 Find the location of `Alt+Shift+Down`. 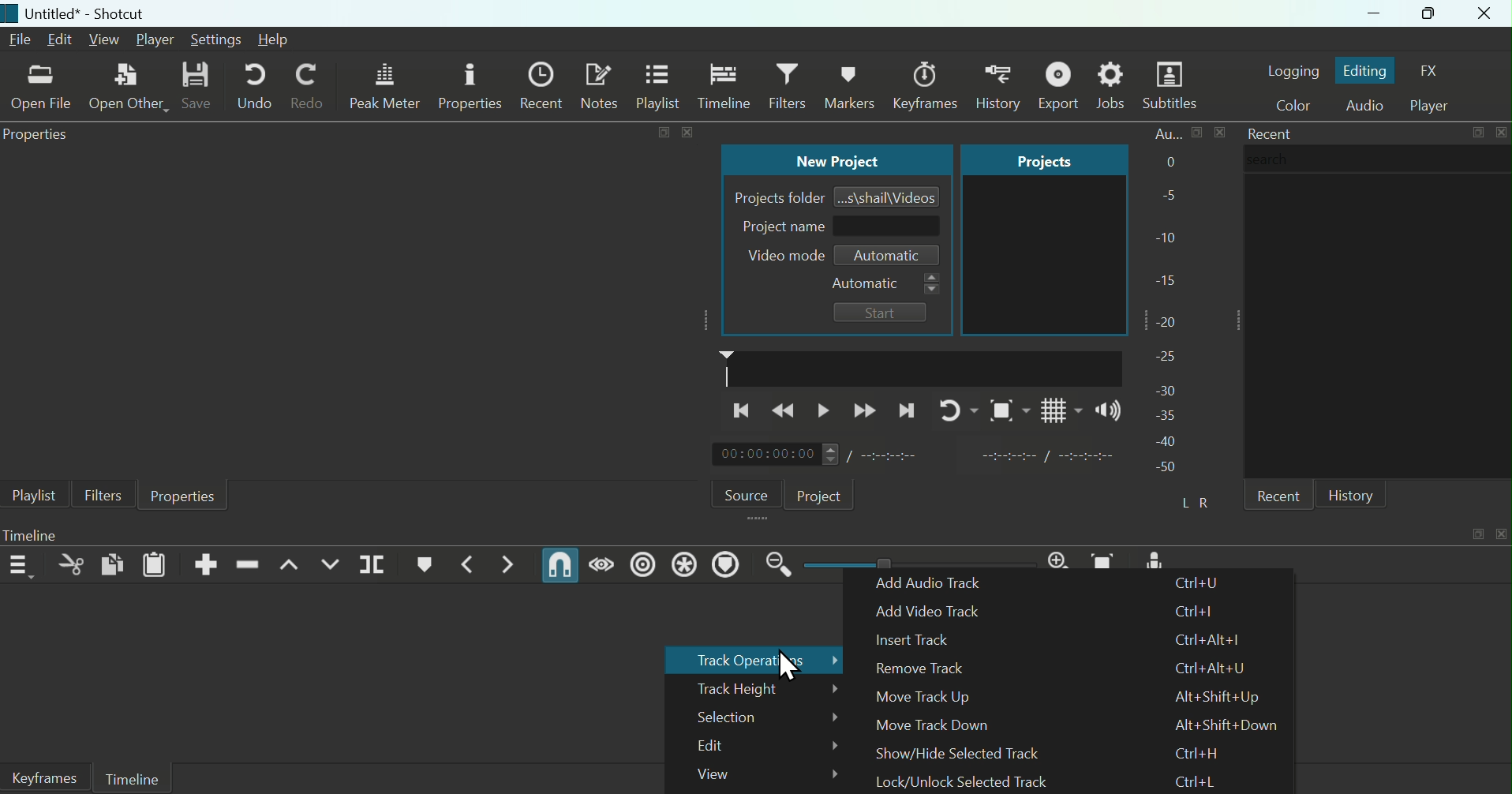

Alt+Shift+Down is located at coordinates (1226, 725).